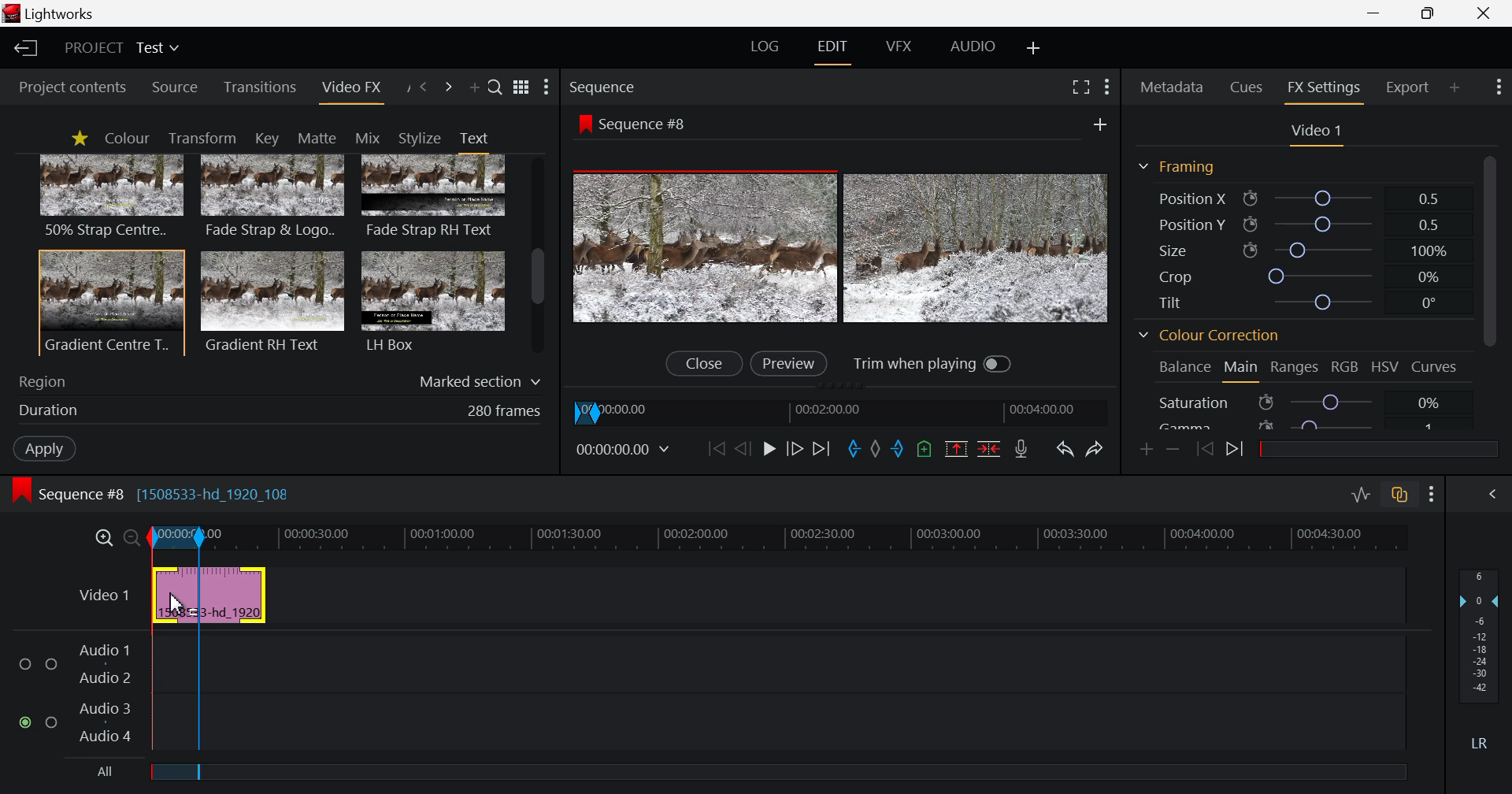 The width and height of the screenshot is (1512, 794). Describe the element at coordinates (132, 534) in the screenshot. I see `Timeline Zoom Out` at that location.